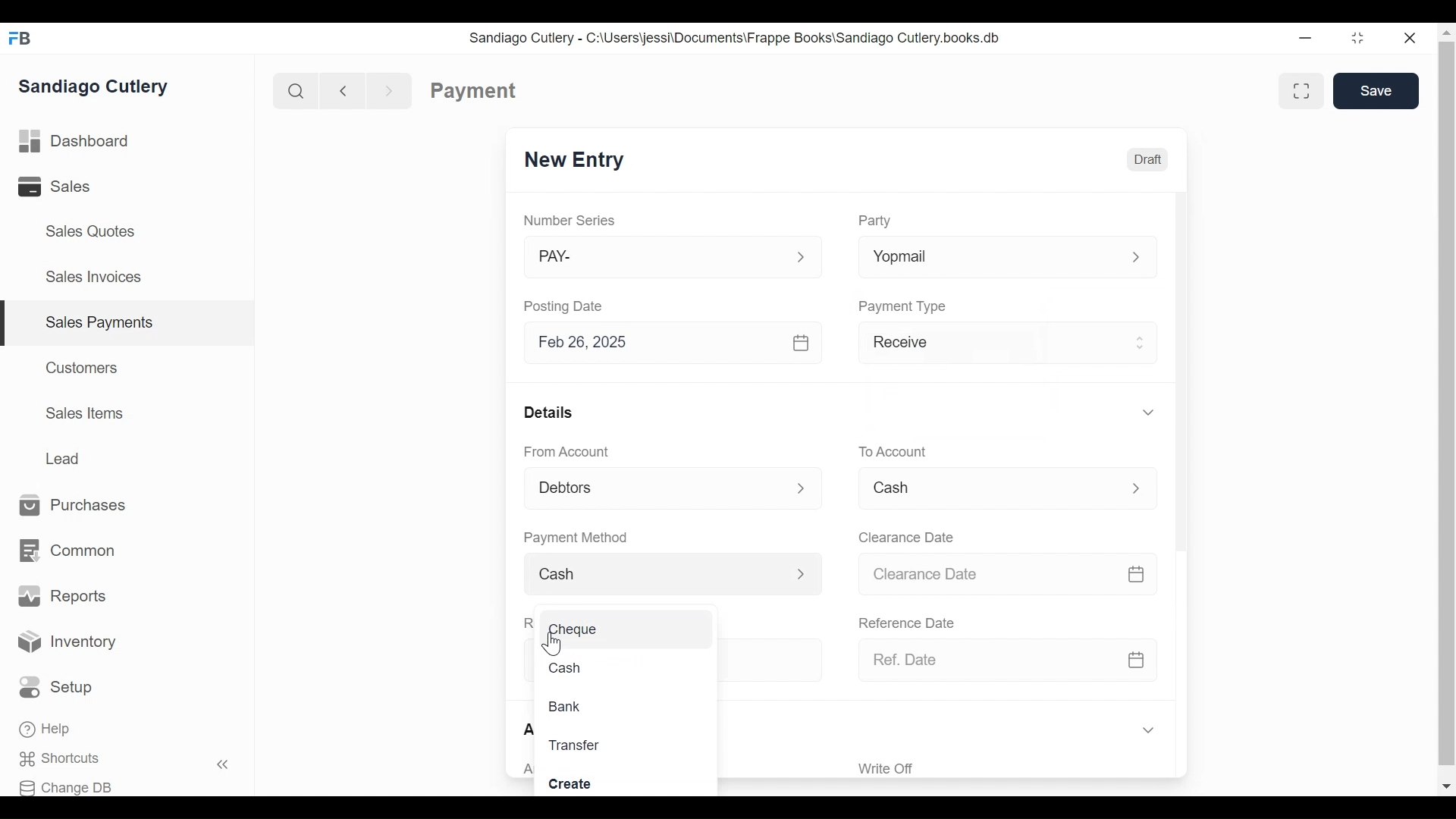 The image size is (1456, 819). What do you see at coordinates (567, 707) in the screenshot?
I see `Bank` at bounding box center [567, 707].